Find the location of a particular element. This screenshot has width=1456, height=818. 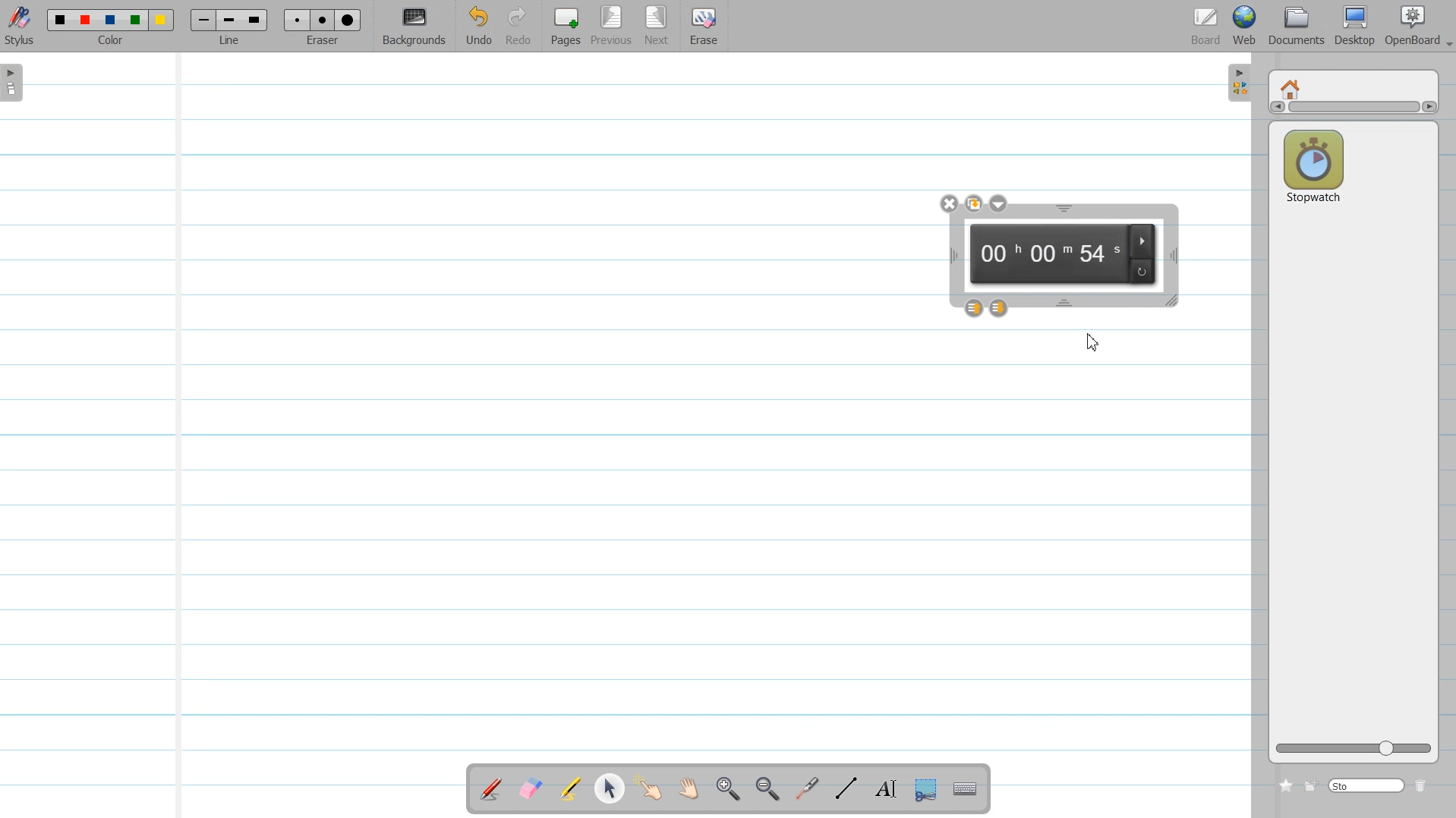

Capture part of the Screen is located at coordinates (928, 790).